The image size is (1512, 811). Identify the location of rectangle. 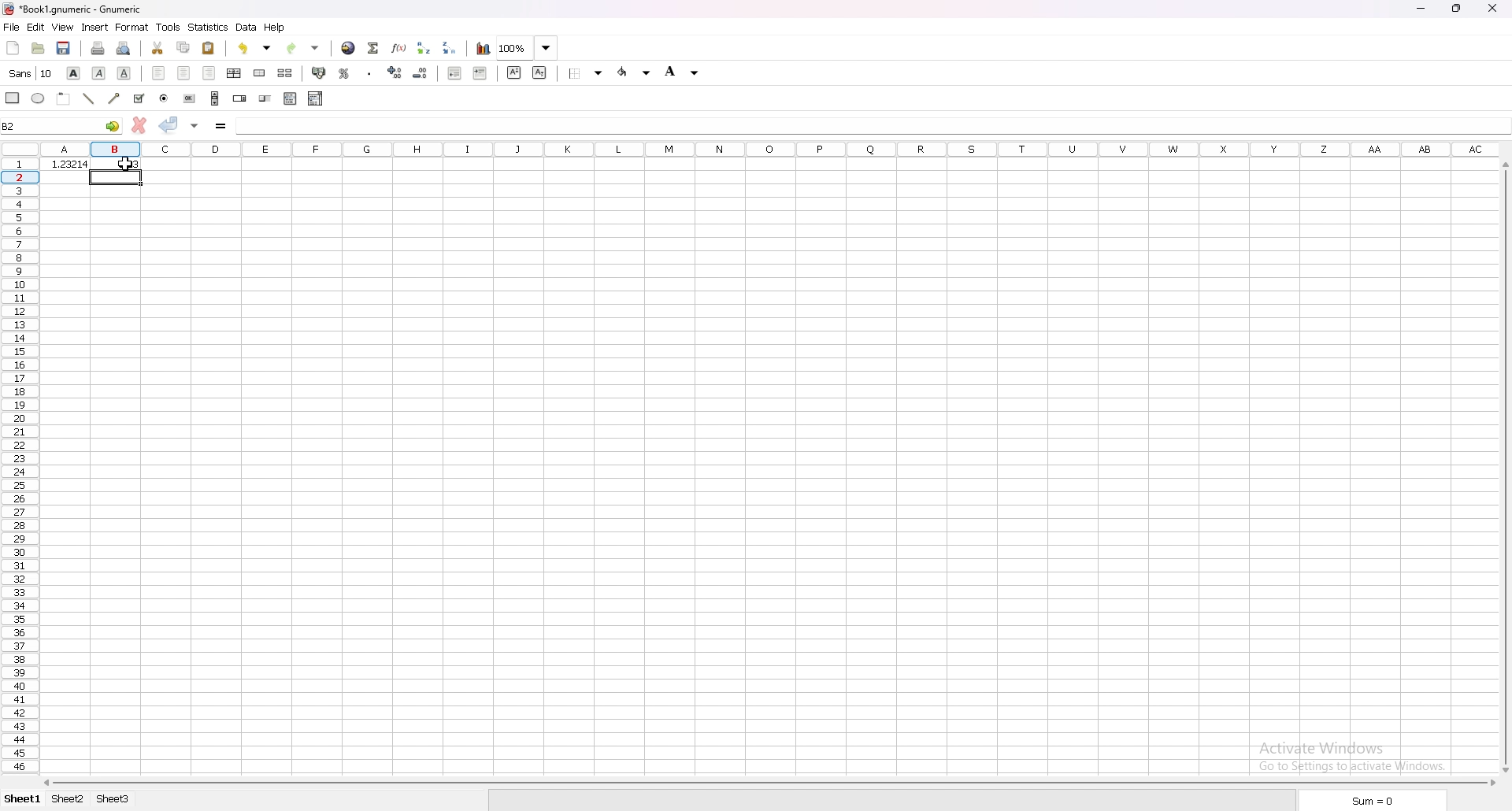
(13, 98).